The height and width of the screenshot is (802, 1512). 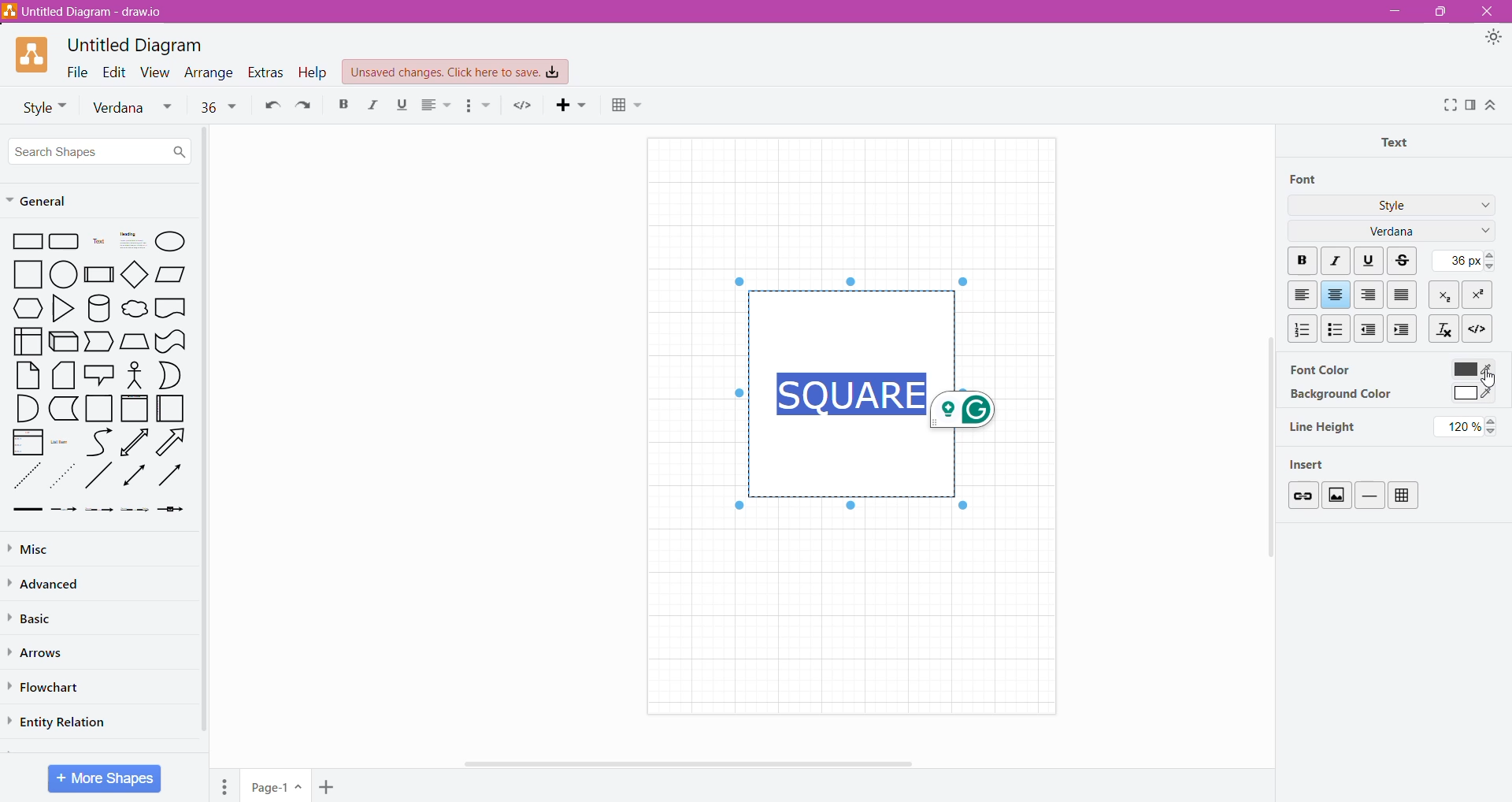 I want to click on Restore Down, so click(x=1437, y=13).